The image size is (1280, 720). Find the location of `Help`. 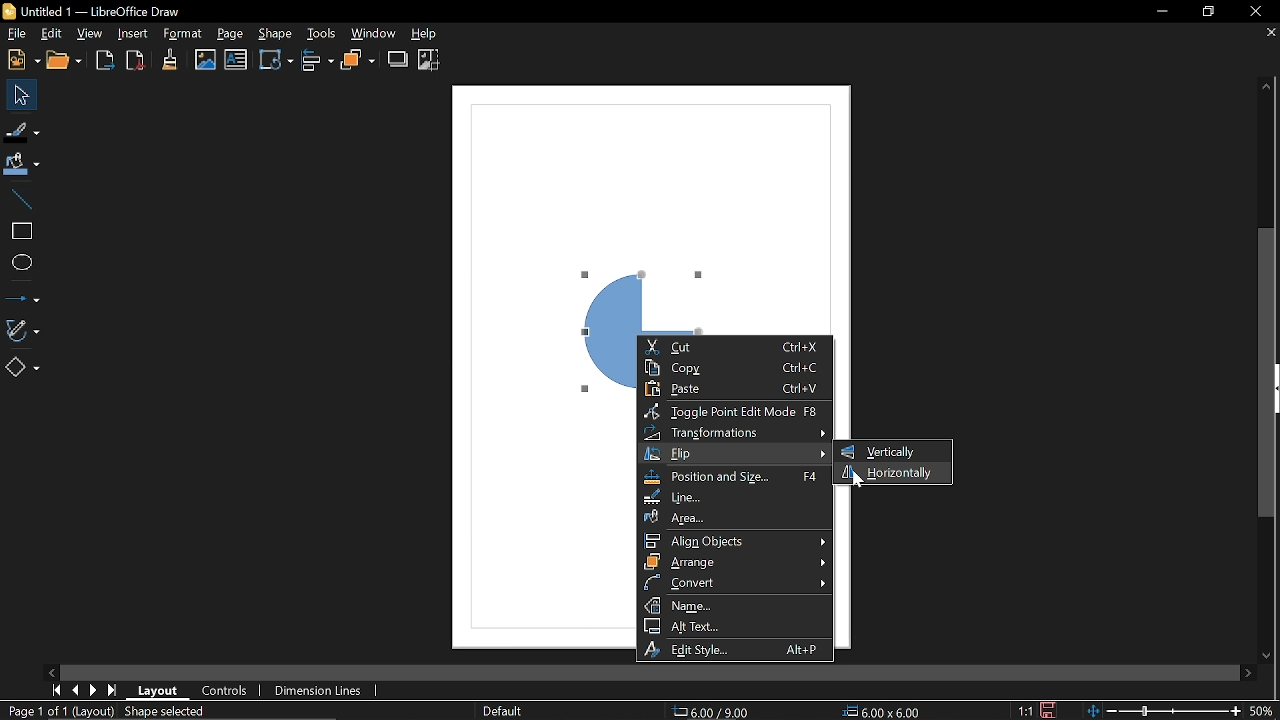

Help is located at coordinates (427, 35).